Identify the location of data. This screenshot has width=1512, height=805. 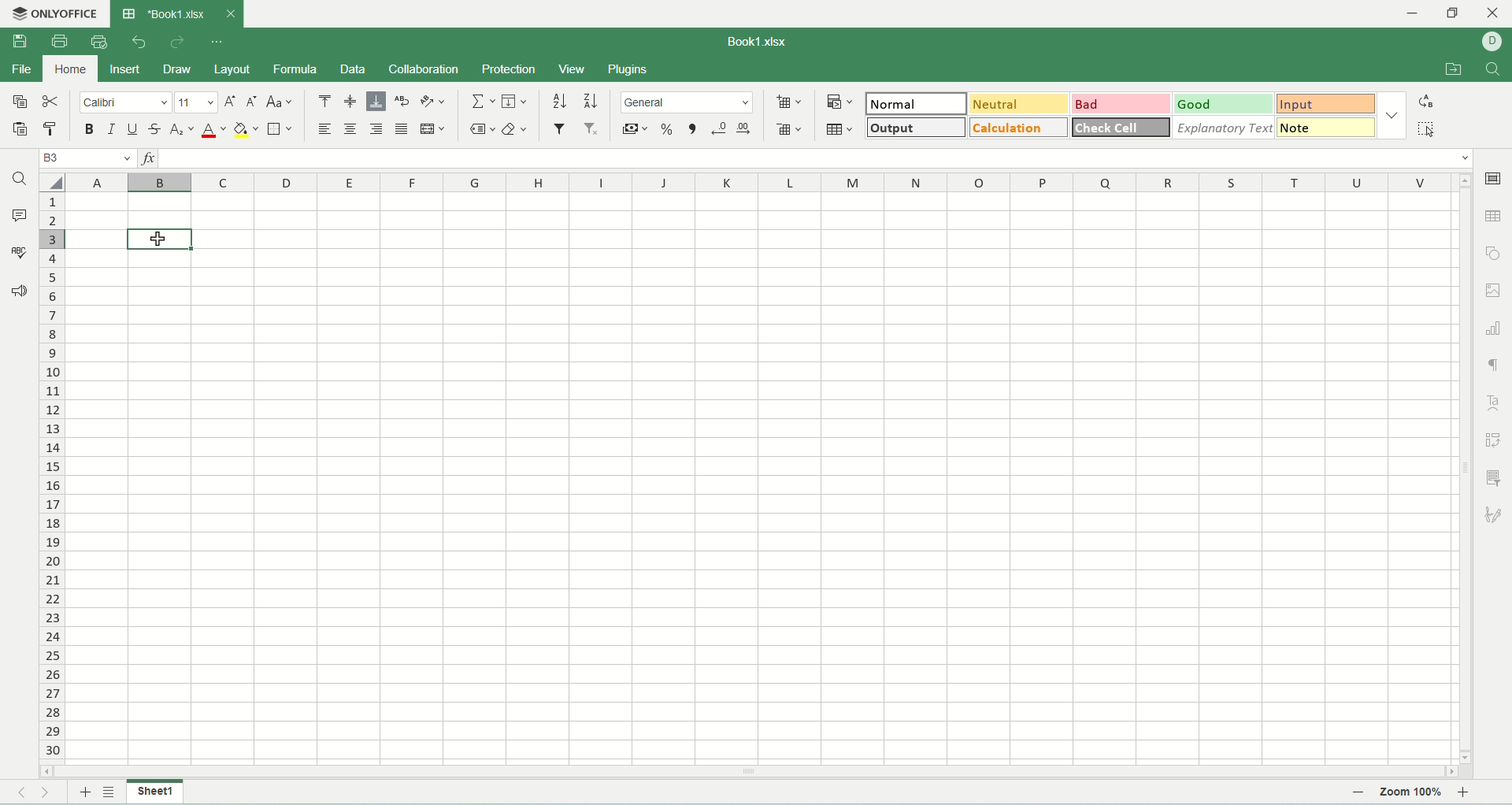
(353, 69).